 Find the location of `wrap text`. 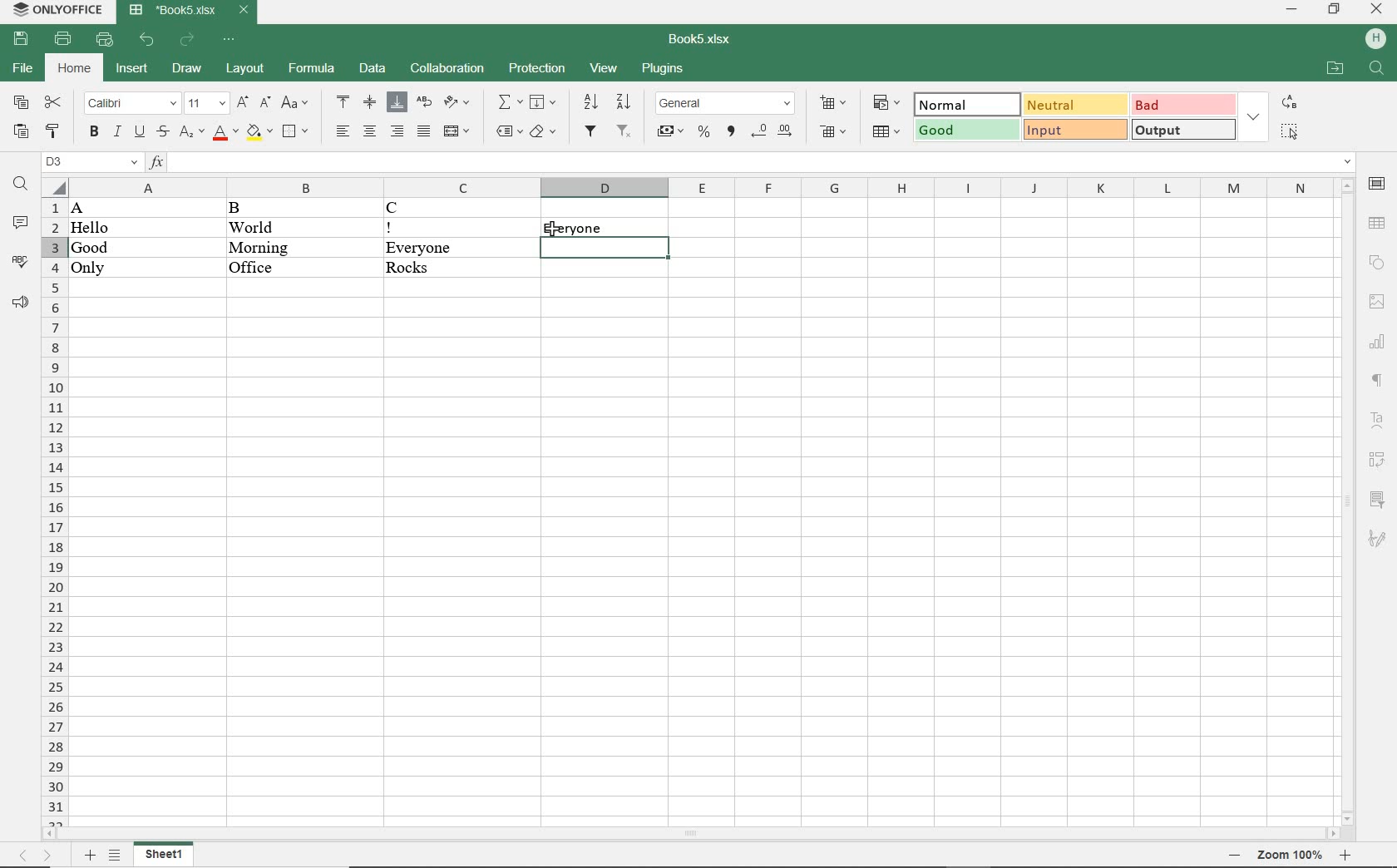

wrap text is located at coordinates (423, 104).